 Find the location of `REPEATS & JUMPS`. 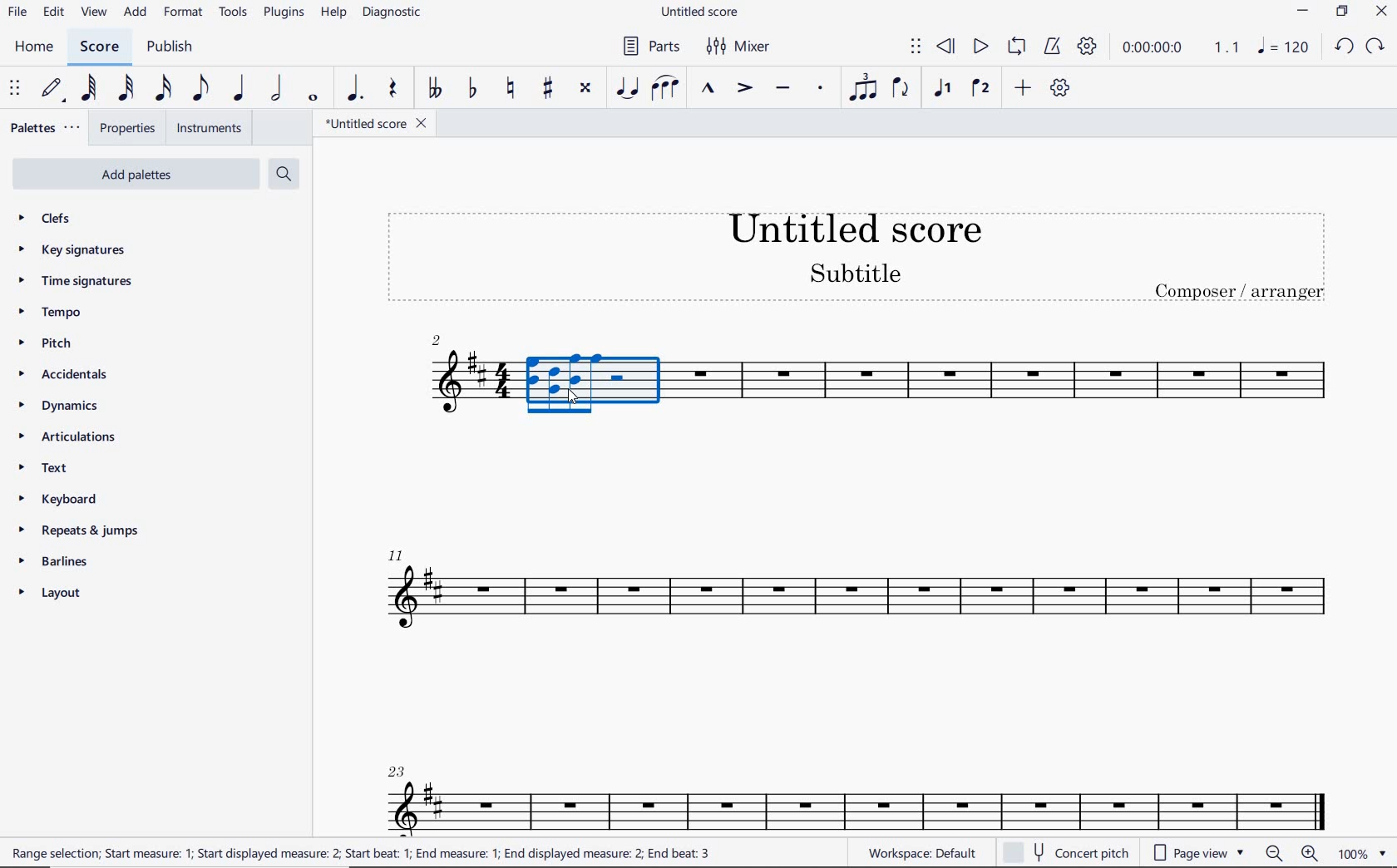

REPEATS & JUMPS is located at coordinates (79, 533).